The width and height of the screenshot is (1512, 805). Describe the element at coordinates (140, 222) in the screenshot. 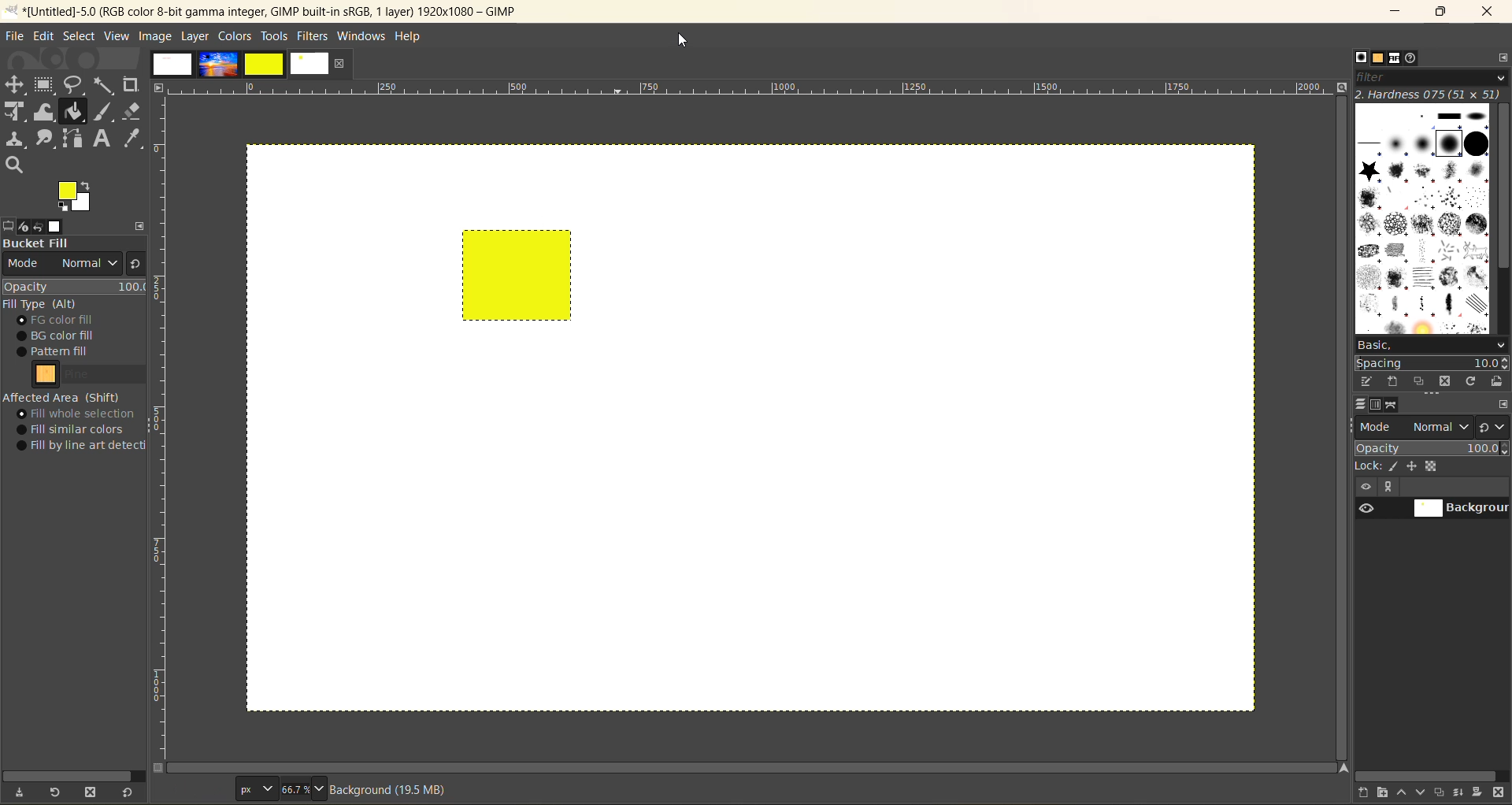

I see `configure` at that location.